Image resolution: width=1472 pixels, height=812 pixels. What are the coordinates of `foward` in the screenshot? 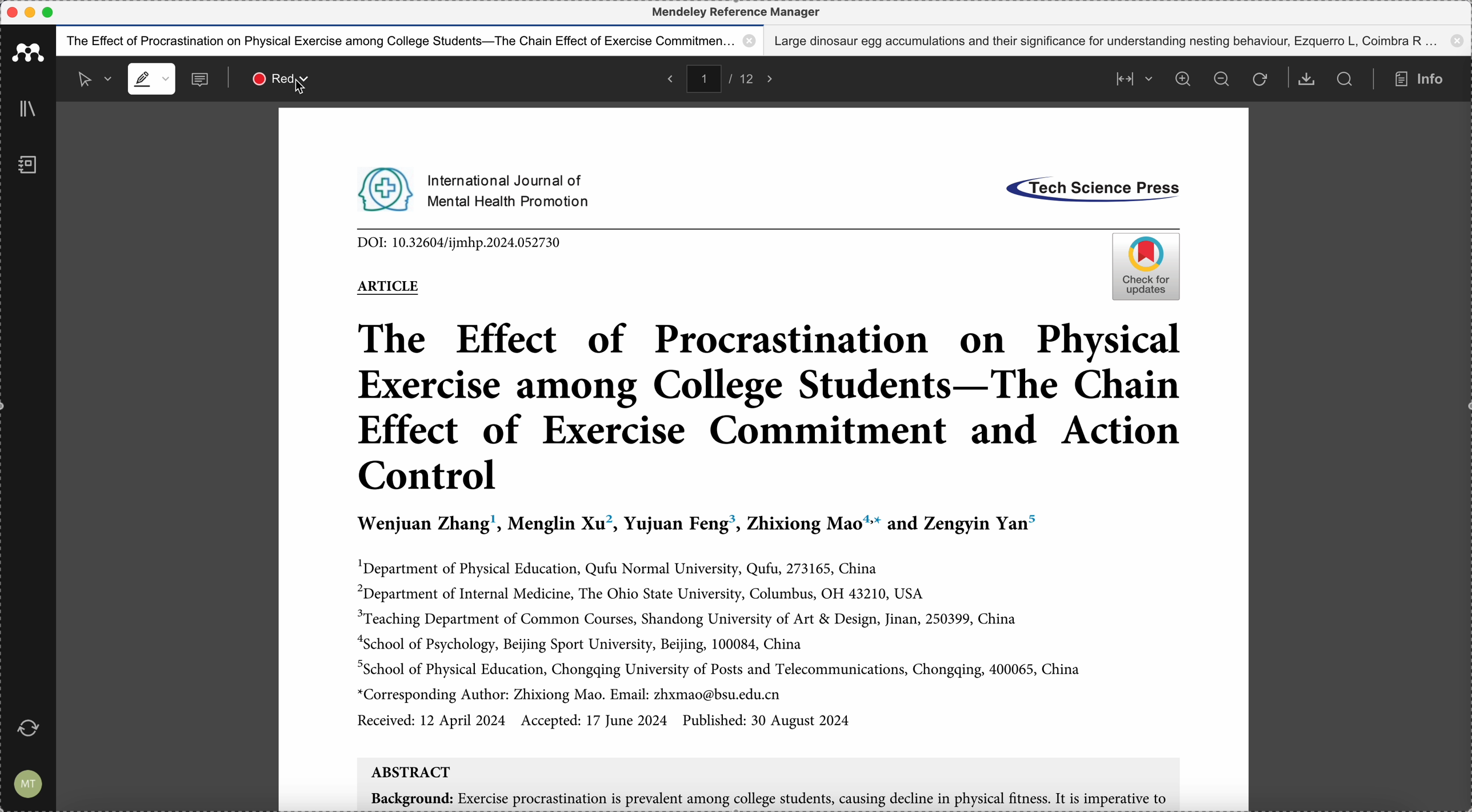 It's located at (774, 78).